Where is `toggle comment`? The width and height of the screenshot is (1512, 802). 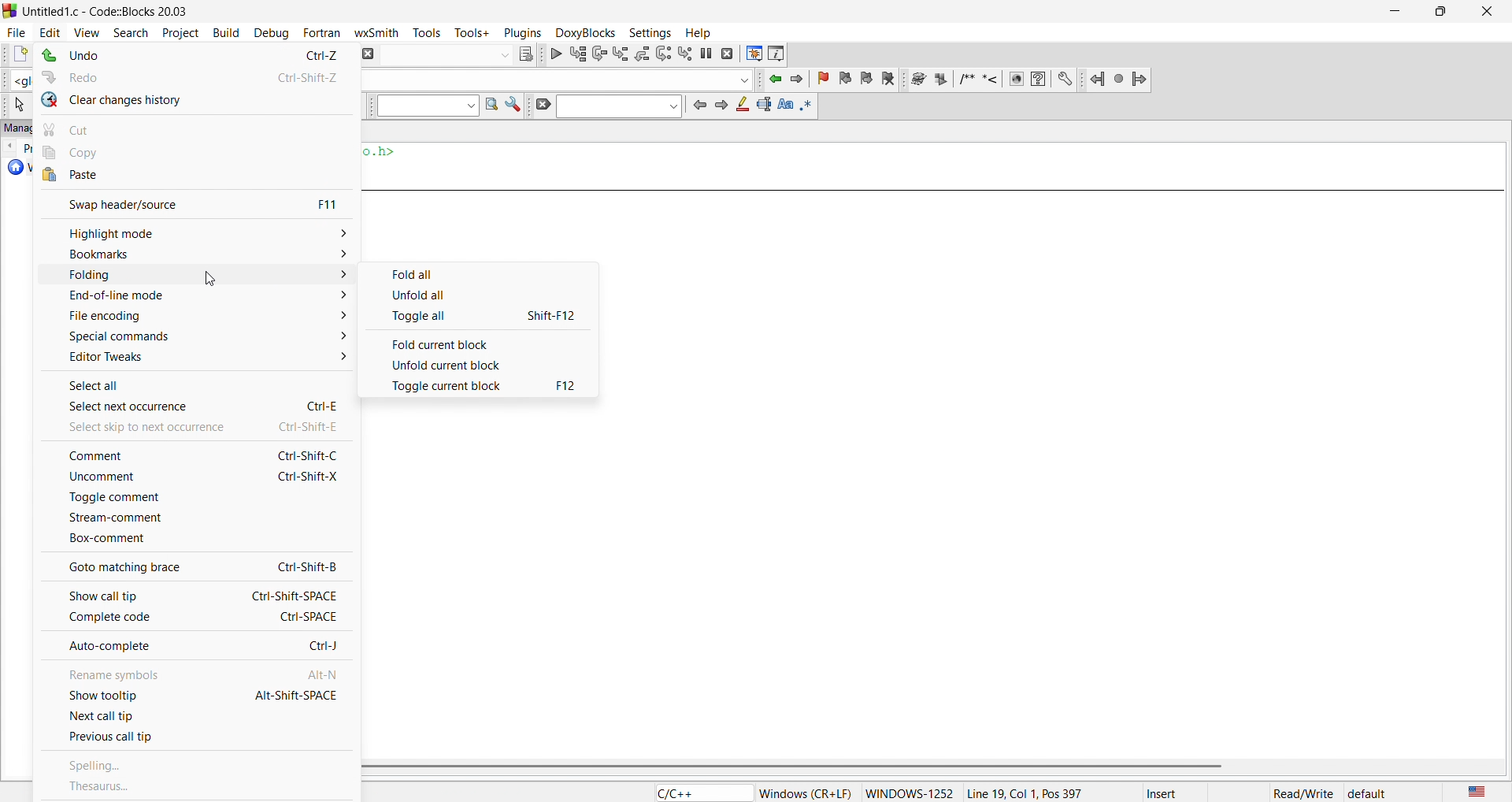 toggle comment is located at coordinates (191, 498).